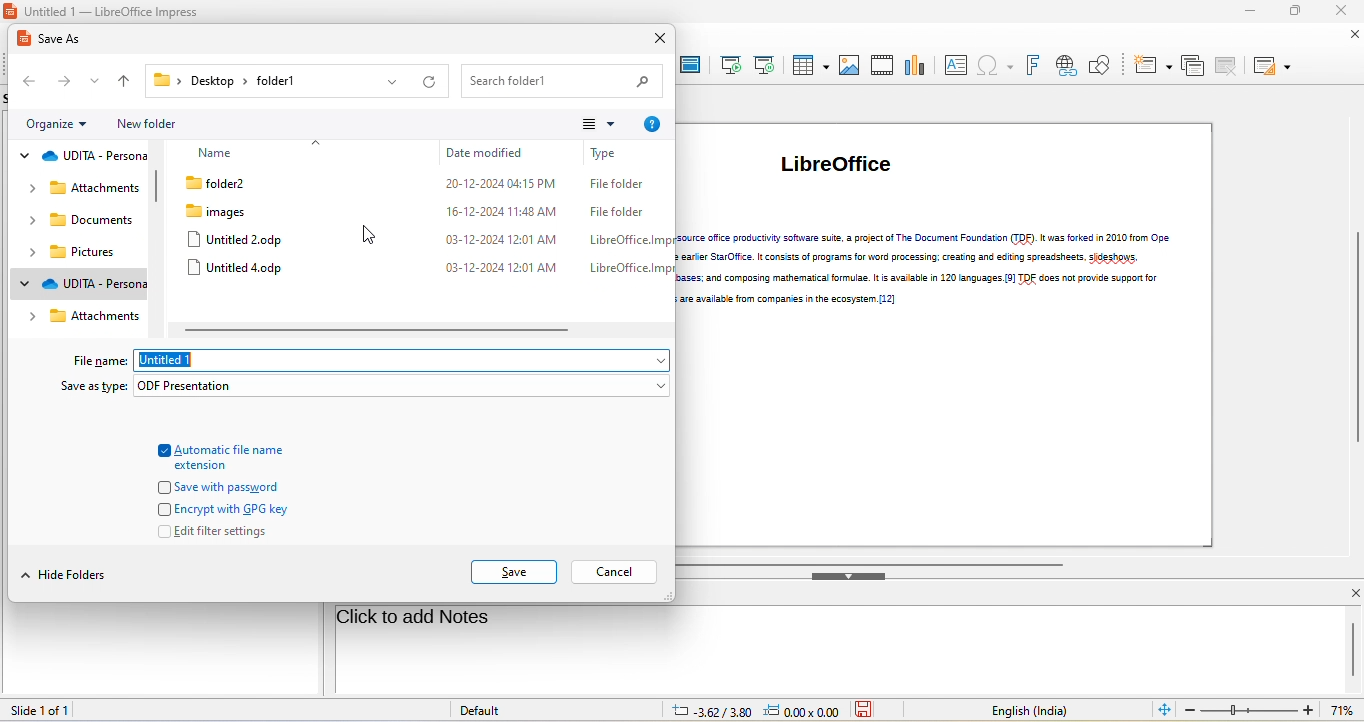 This screenshot has width=1364, height=722. I want to click on back, so click(28, 80).